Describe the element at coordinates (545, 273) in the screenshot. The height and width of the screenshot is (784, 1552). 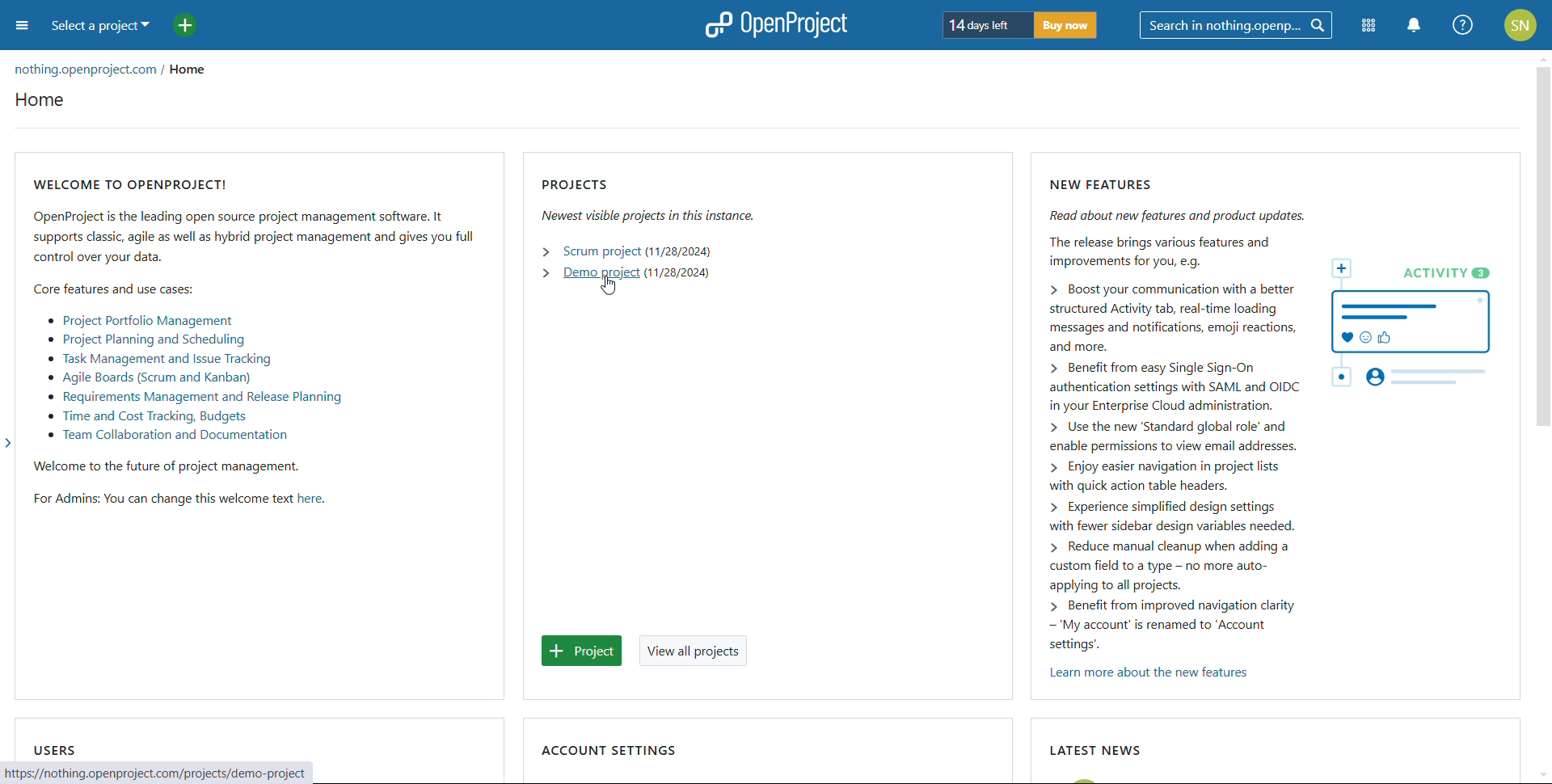
I see `expand demo project` at that location.